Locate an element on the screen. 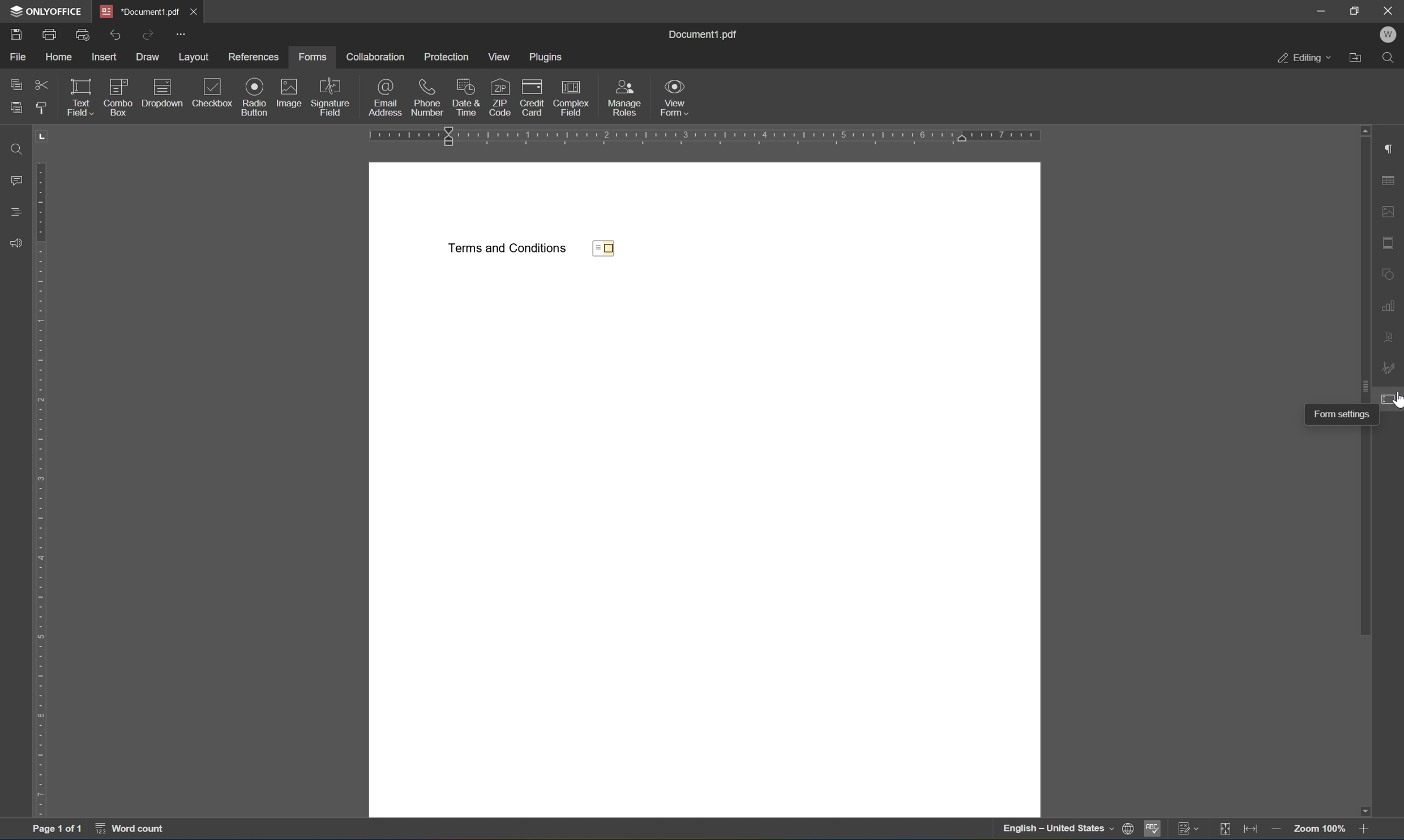 This screenshot has width=1404, height=840. text field is located at coordinates (80, 97).